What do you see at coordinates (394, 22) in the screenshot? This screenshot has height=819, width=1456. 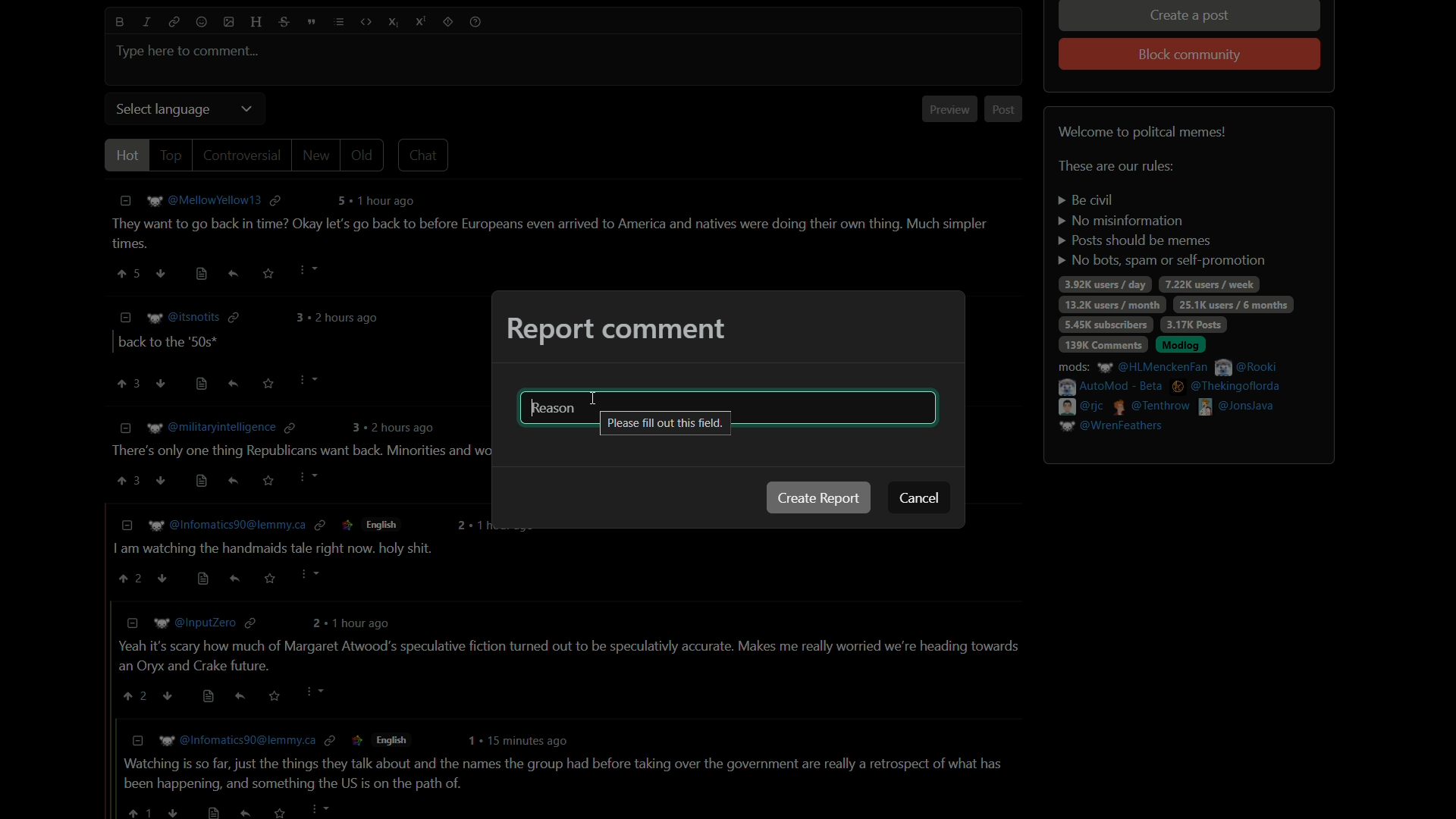 I see `subscript` at bounding box center [394, 22].